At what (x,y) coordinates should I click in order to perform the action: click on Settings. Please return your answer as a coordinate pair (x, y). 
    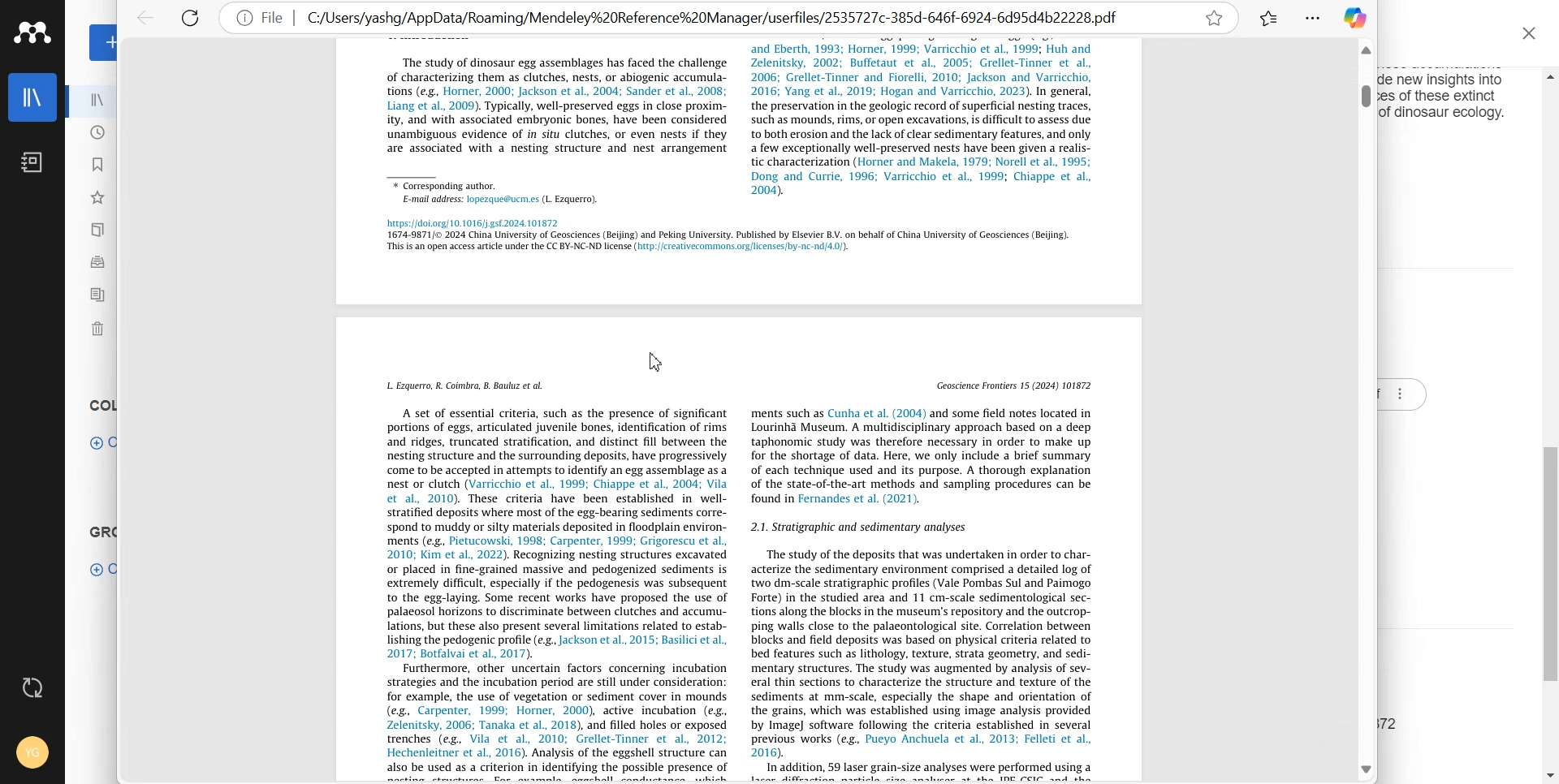
    Looking at the image, I should click on (1312, 19).